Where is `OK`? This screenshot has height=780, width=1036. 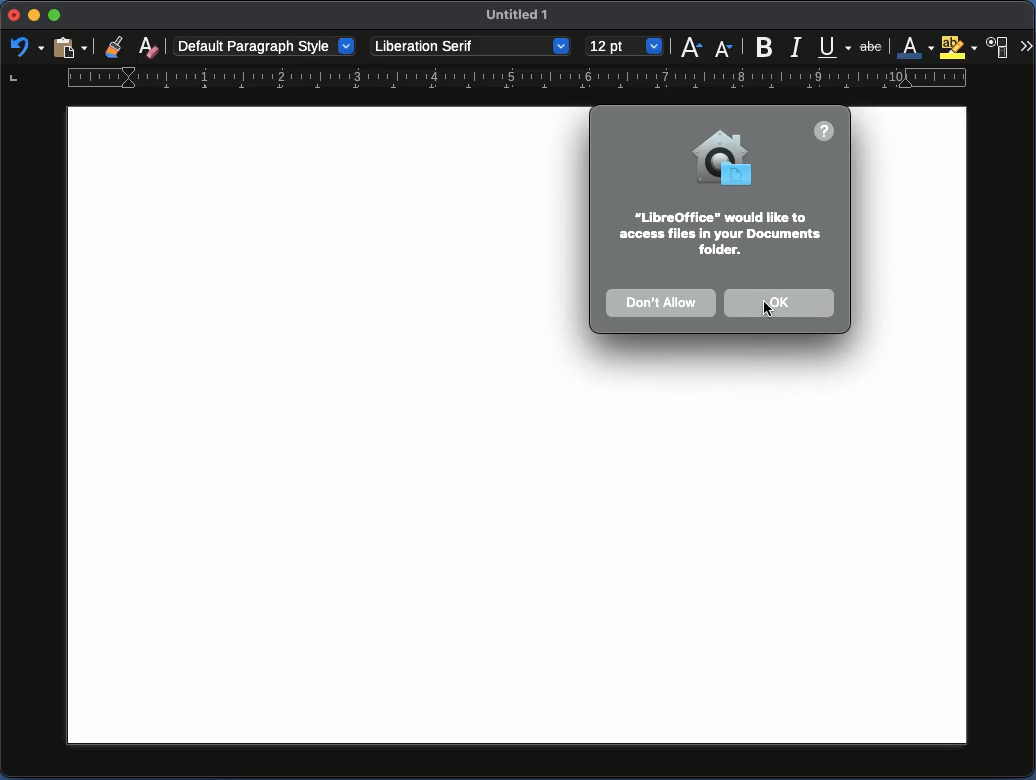 OK is located at coordinates (783, 306).